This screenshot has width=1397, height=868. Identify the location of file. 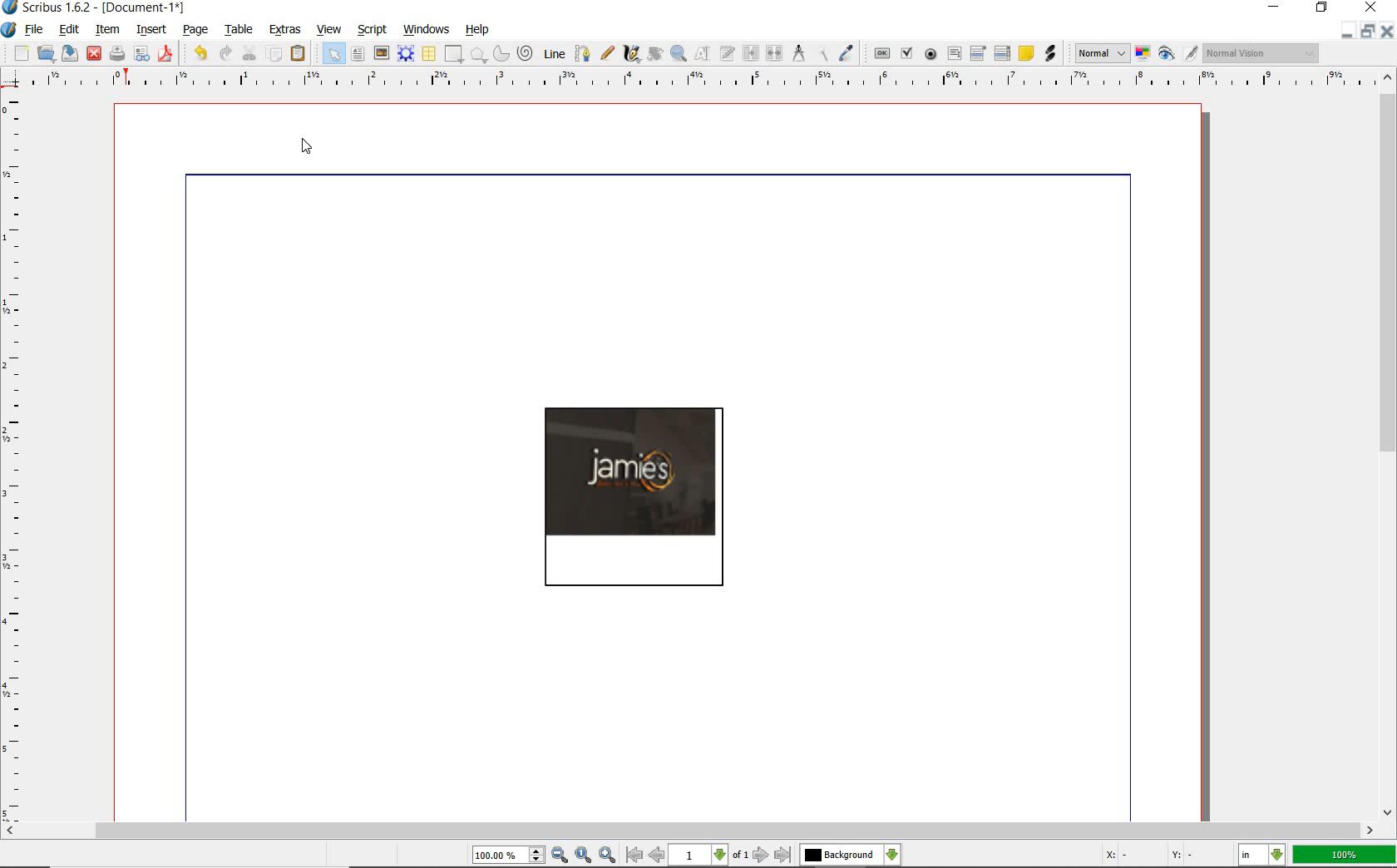
(38, 28).